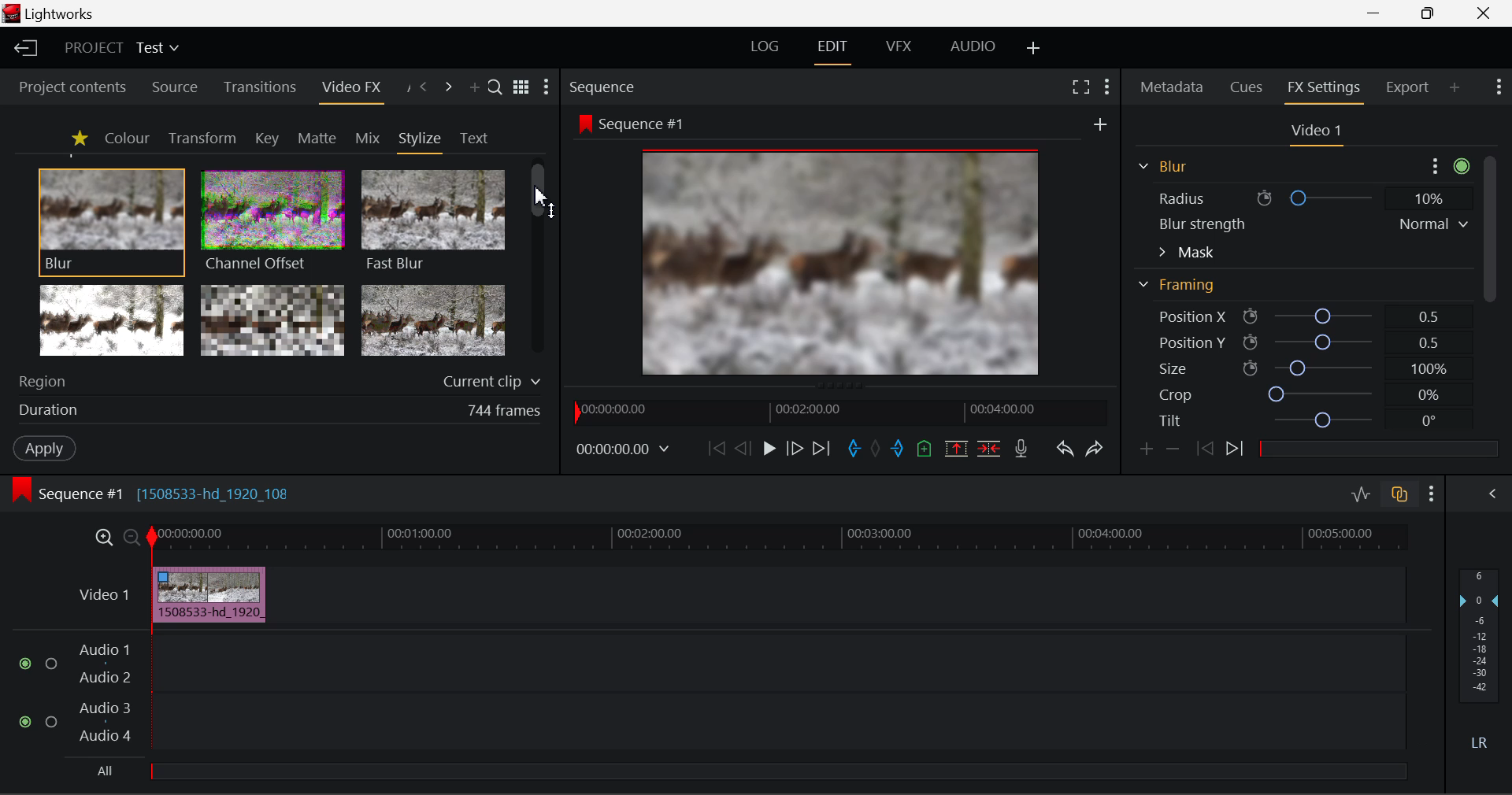 This screenshot has width=1512, height=795. Describe the element at coordinates (991, 444) in the screenshot. I see `Delete/Cut` at that location.